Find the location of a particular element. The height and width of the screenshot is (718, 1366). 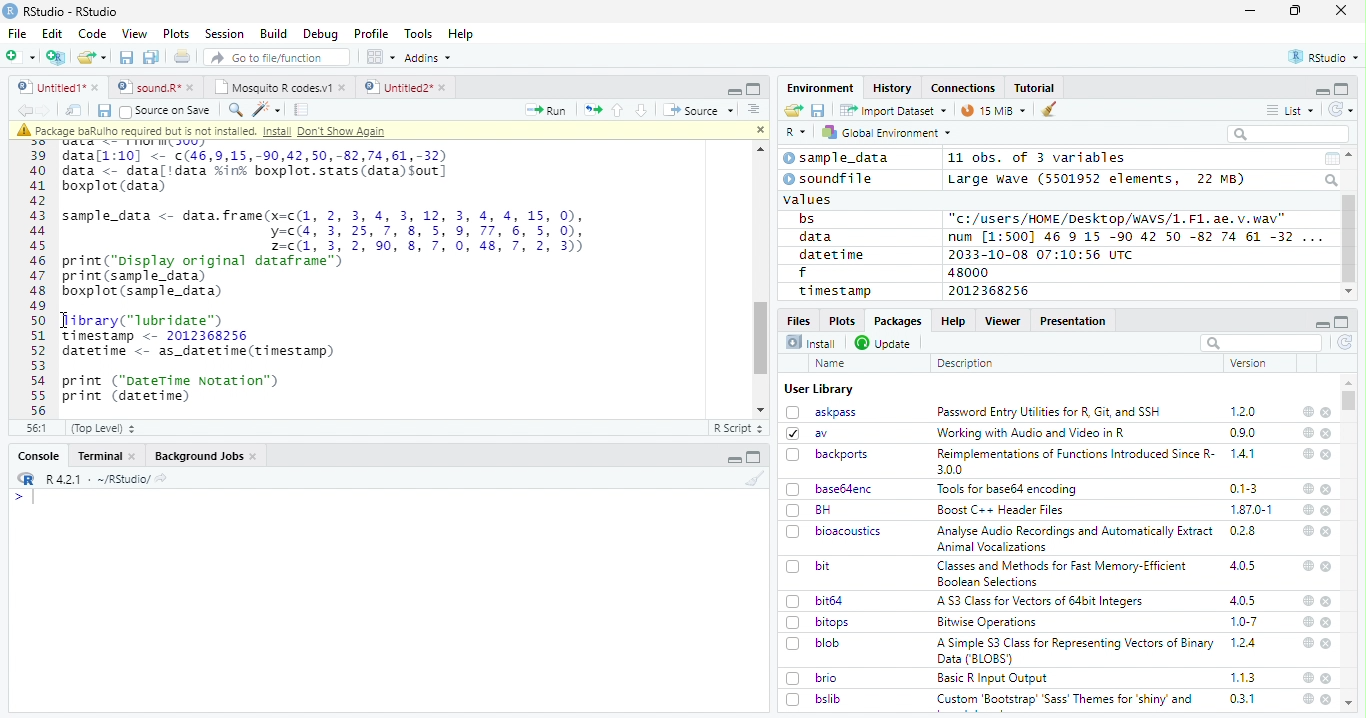

A Simple S3 Class for Representing Vectors of Binary
Data (BLOBS) is located at coordinates (1077, 650).